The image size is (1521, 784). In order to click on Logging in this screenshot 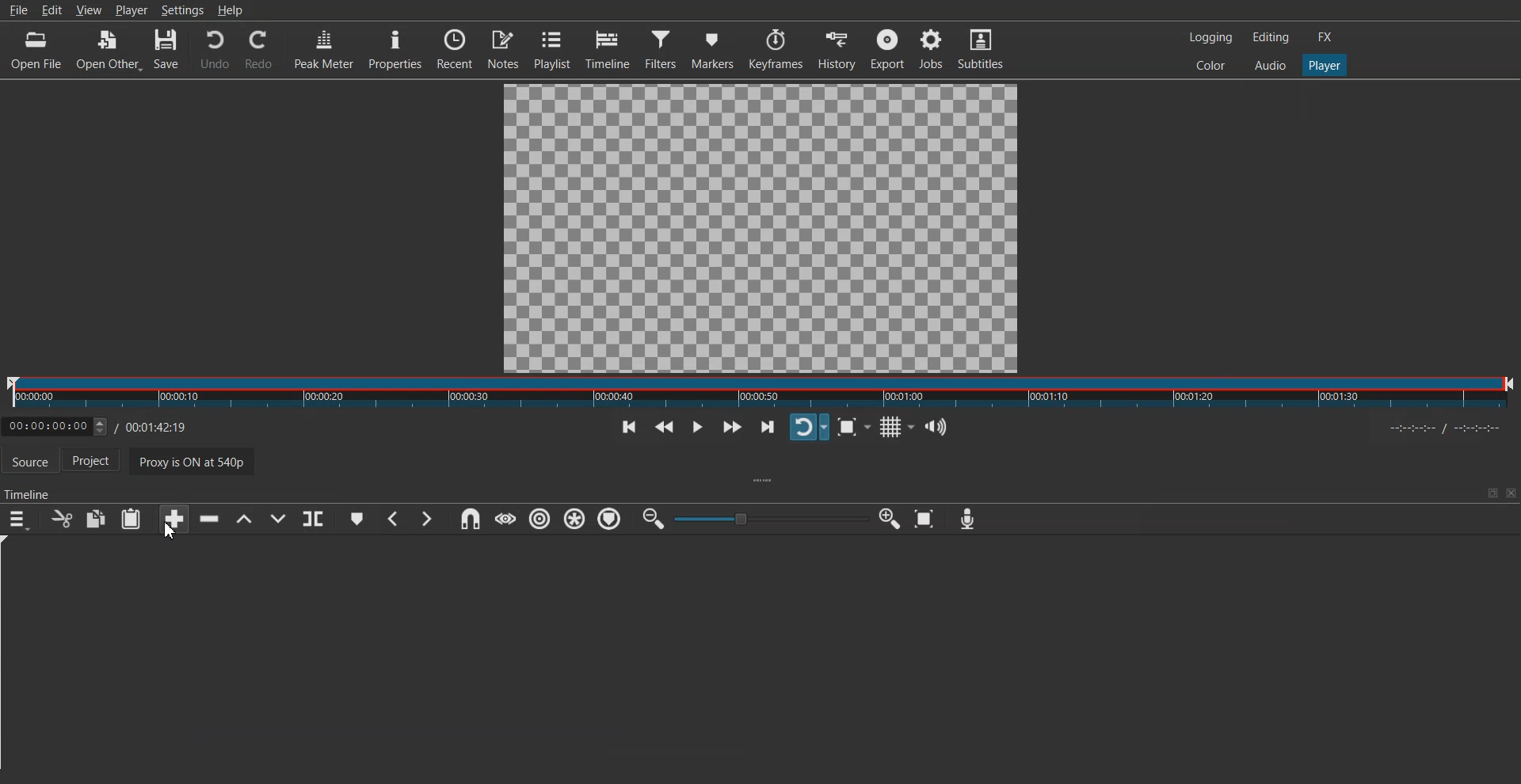, I will do `click(1211, 37)`.